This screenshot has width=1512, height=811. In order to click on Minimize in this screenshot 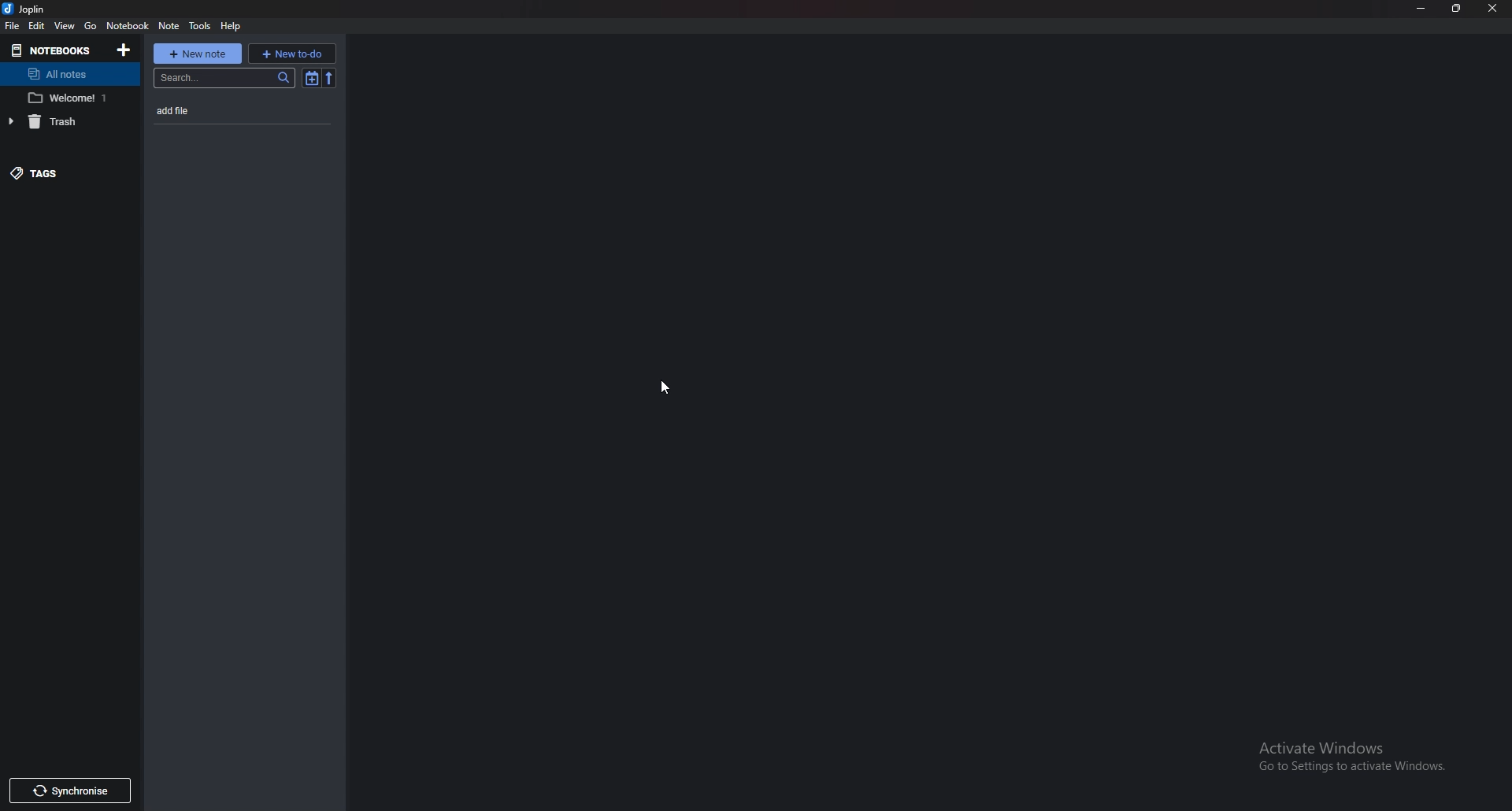, I will do `click(1423, 8)`.